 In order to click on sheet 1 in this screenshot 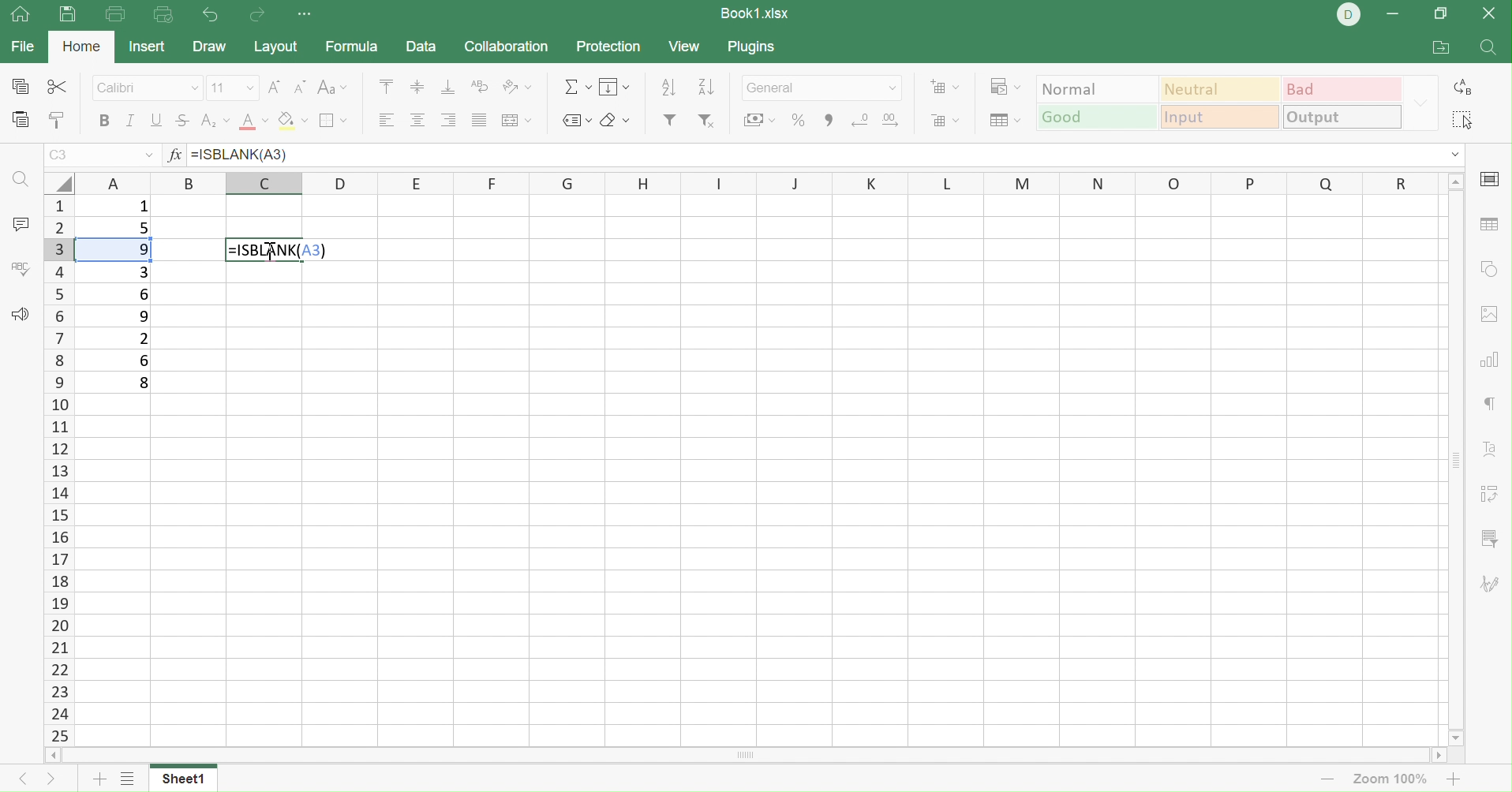, I will do `click(198, 777)`.